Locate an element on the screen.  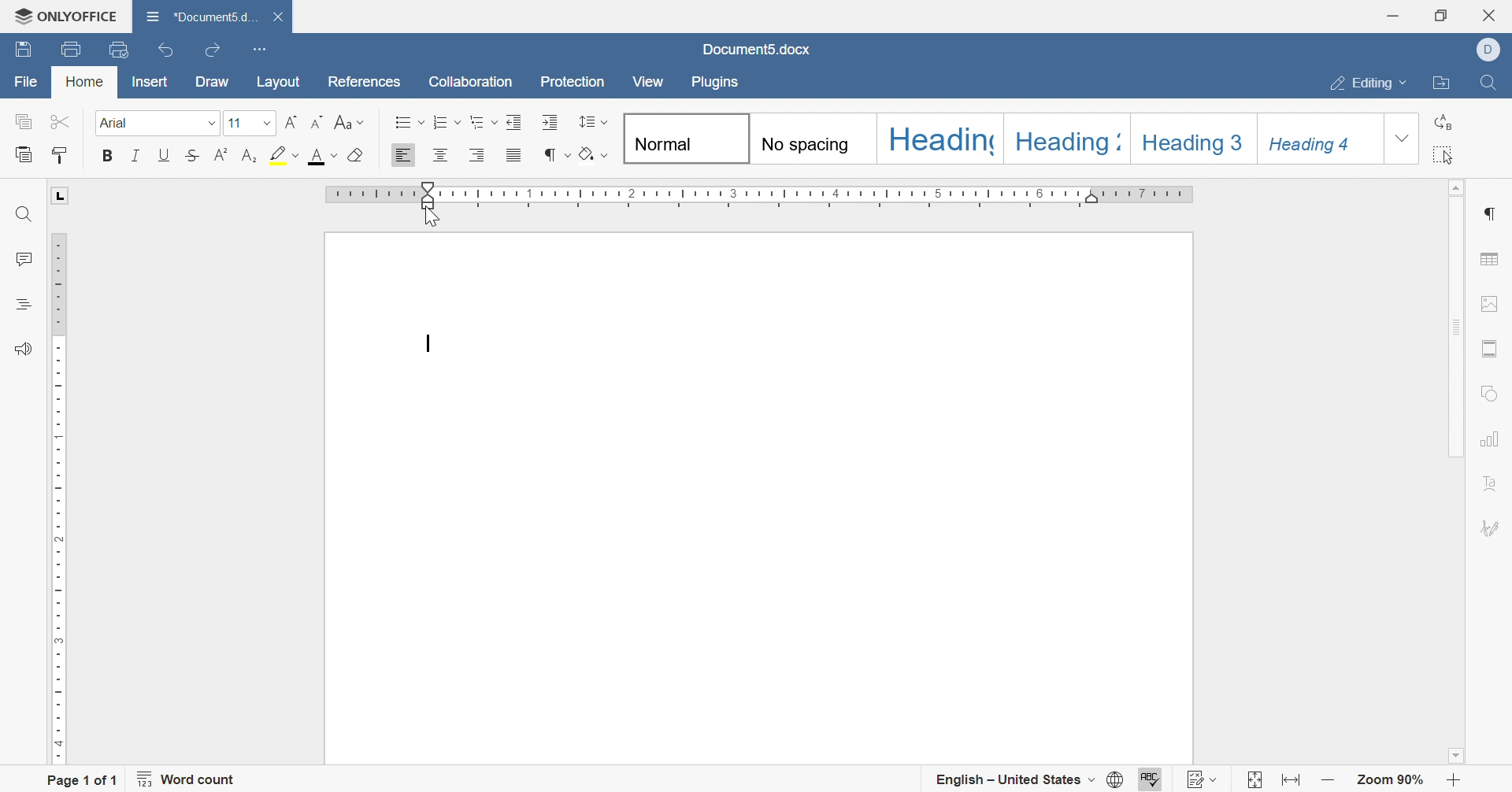
cut is located at coordinates (57, 120).